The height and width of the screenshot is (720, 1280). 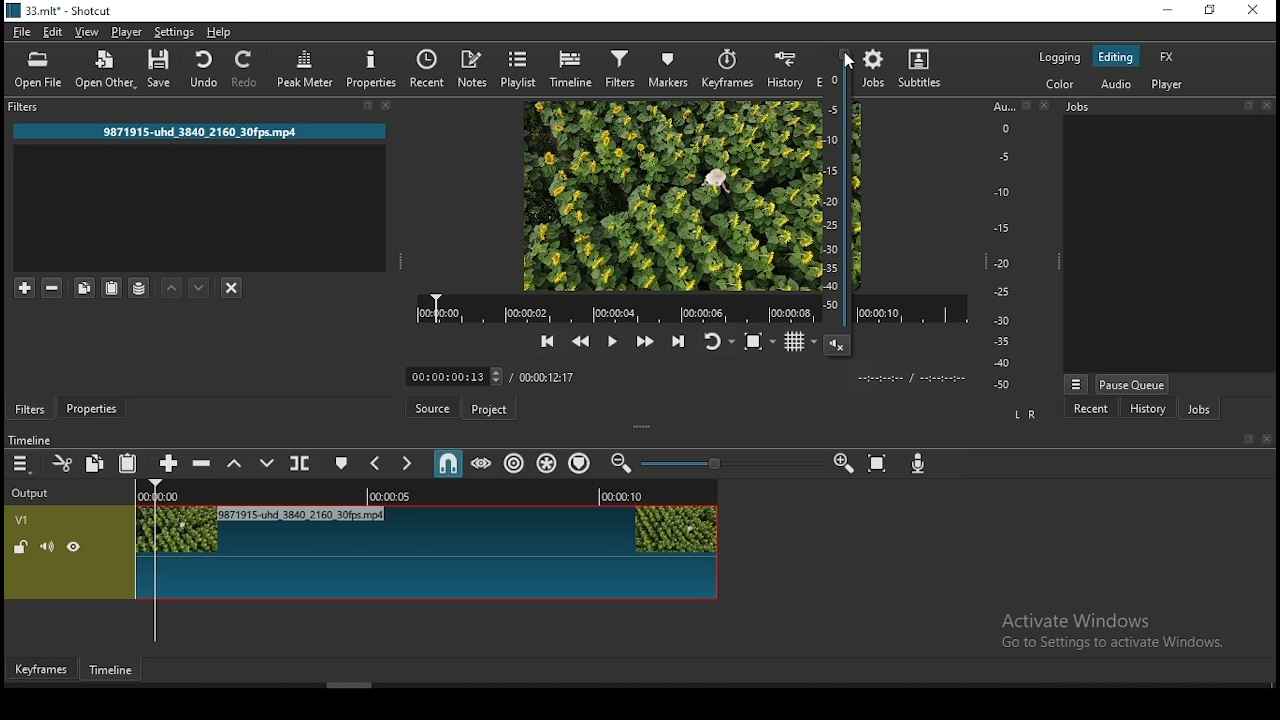 What do you see at coordinates (127, 31) in the screenshot?
I see `player` at bounding box center [127, 31].